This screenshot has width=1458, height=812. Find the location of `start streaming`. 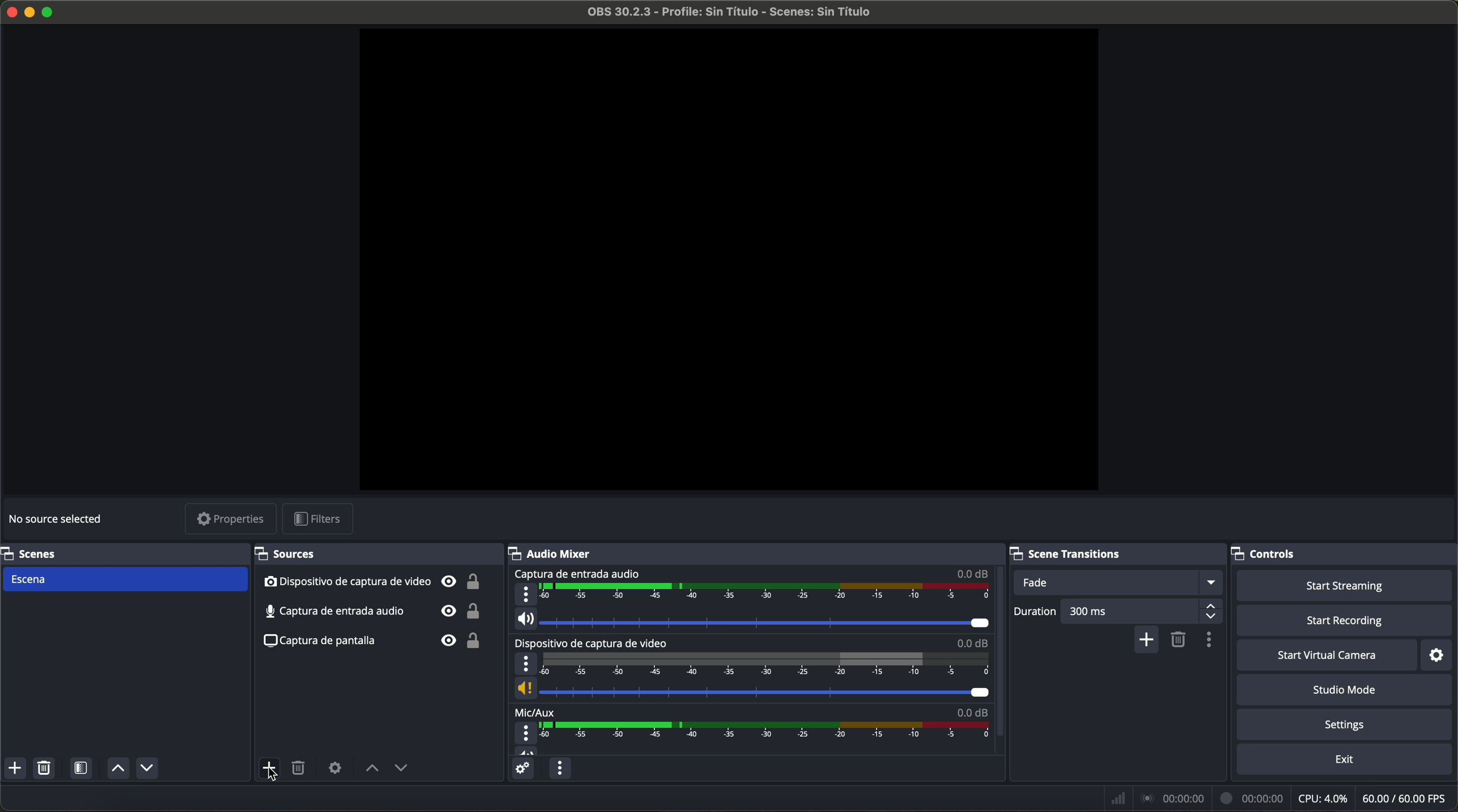

start streaming is located at coordinates (1340, 585).